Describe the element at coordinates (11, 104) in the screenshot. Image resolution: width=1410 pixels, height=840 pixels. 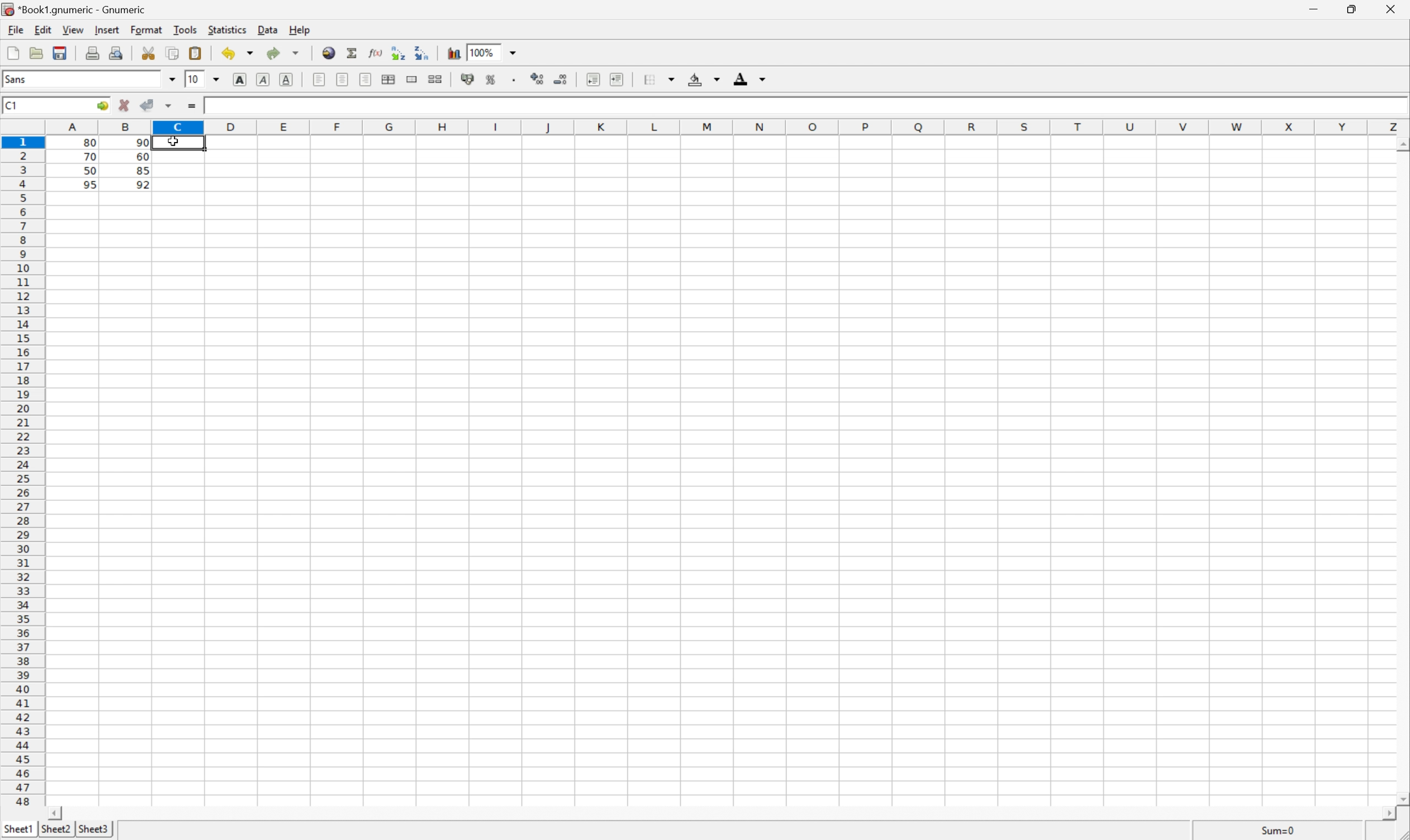
I see `C1` at that location.